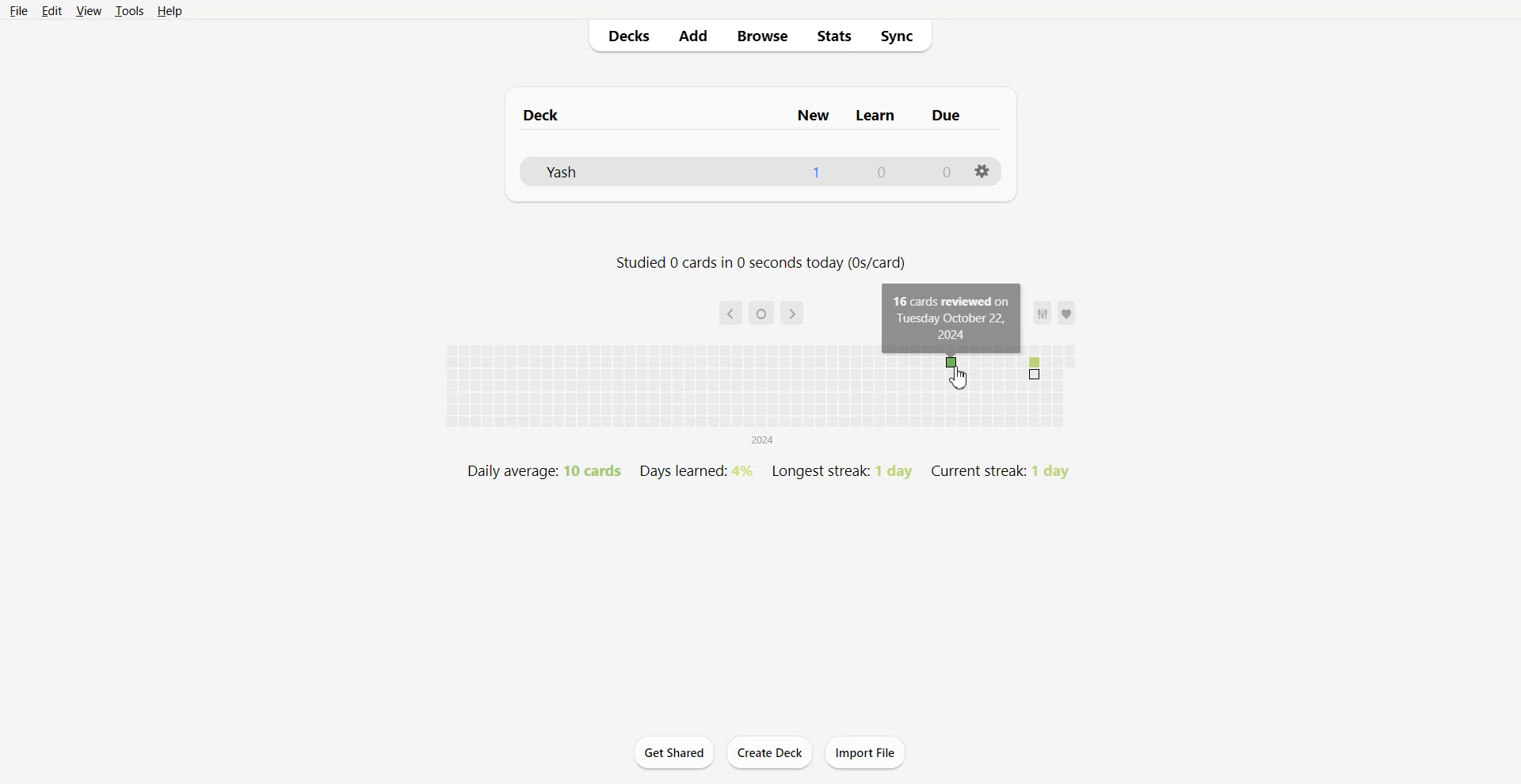 The image size is (1521, 784). Describe the element at coordinates (816, 171) in the screenshot. I see `1` at that location.